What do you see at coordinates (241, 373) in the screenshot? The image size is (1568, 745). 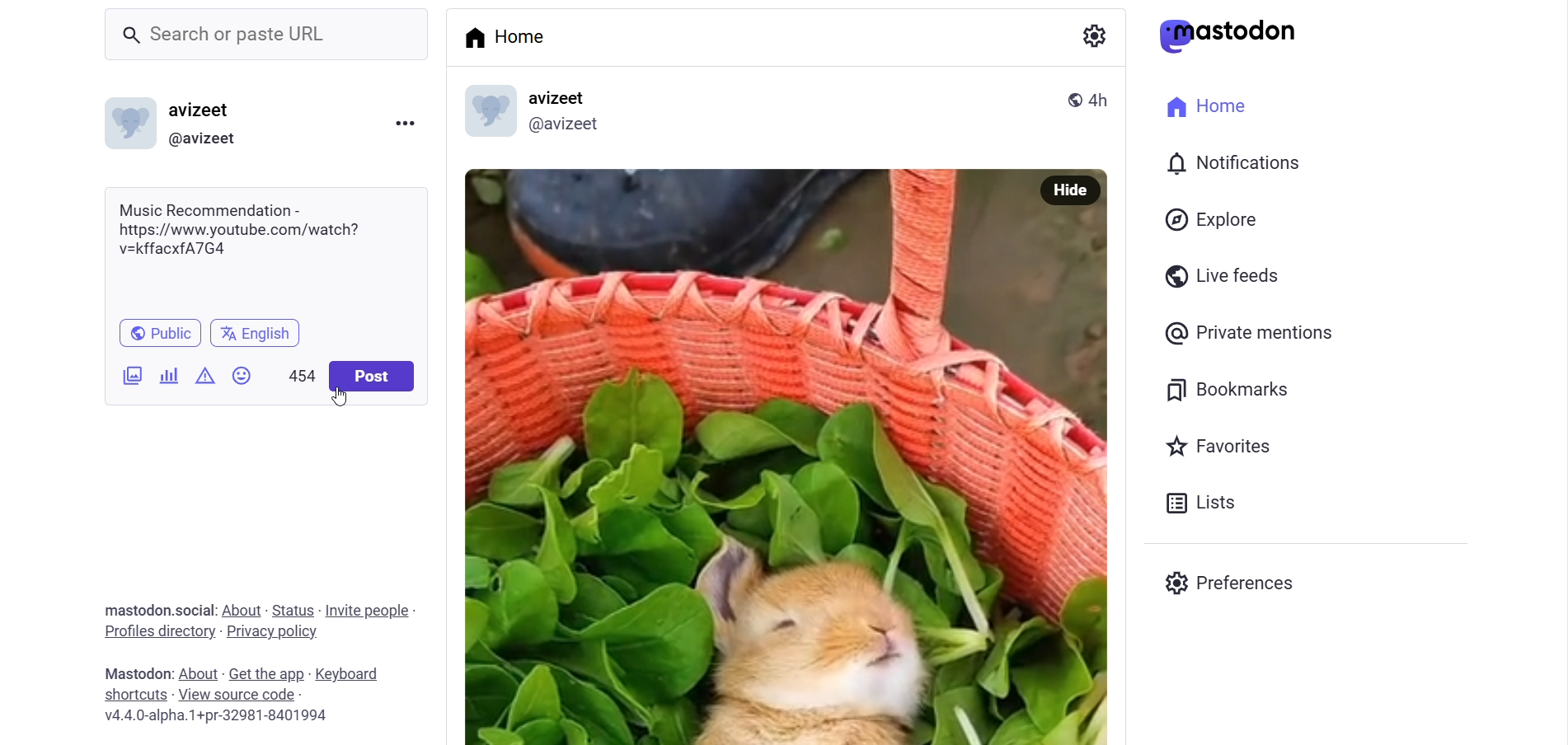 I see `Emojis` at bounding box center [241, 373].